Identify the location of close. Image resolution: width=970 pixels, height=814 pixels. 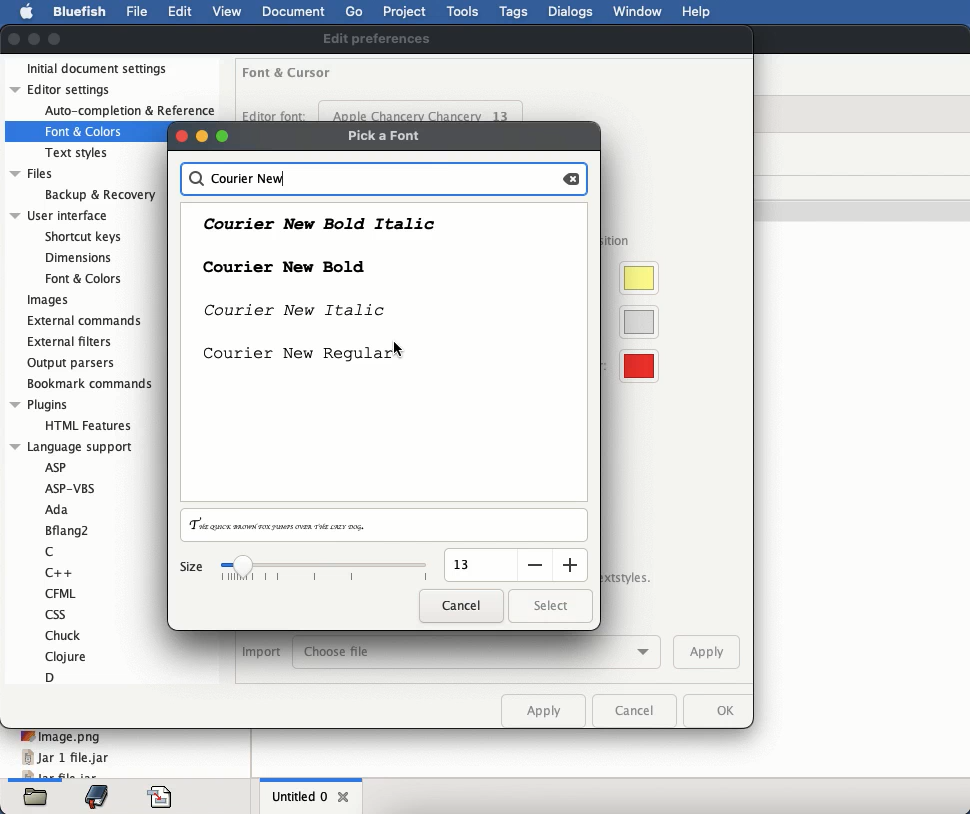
(15, 40).